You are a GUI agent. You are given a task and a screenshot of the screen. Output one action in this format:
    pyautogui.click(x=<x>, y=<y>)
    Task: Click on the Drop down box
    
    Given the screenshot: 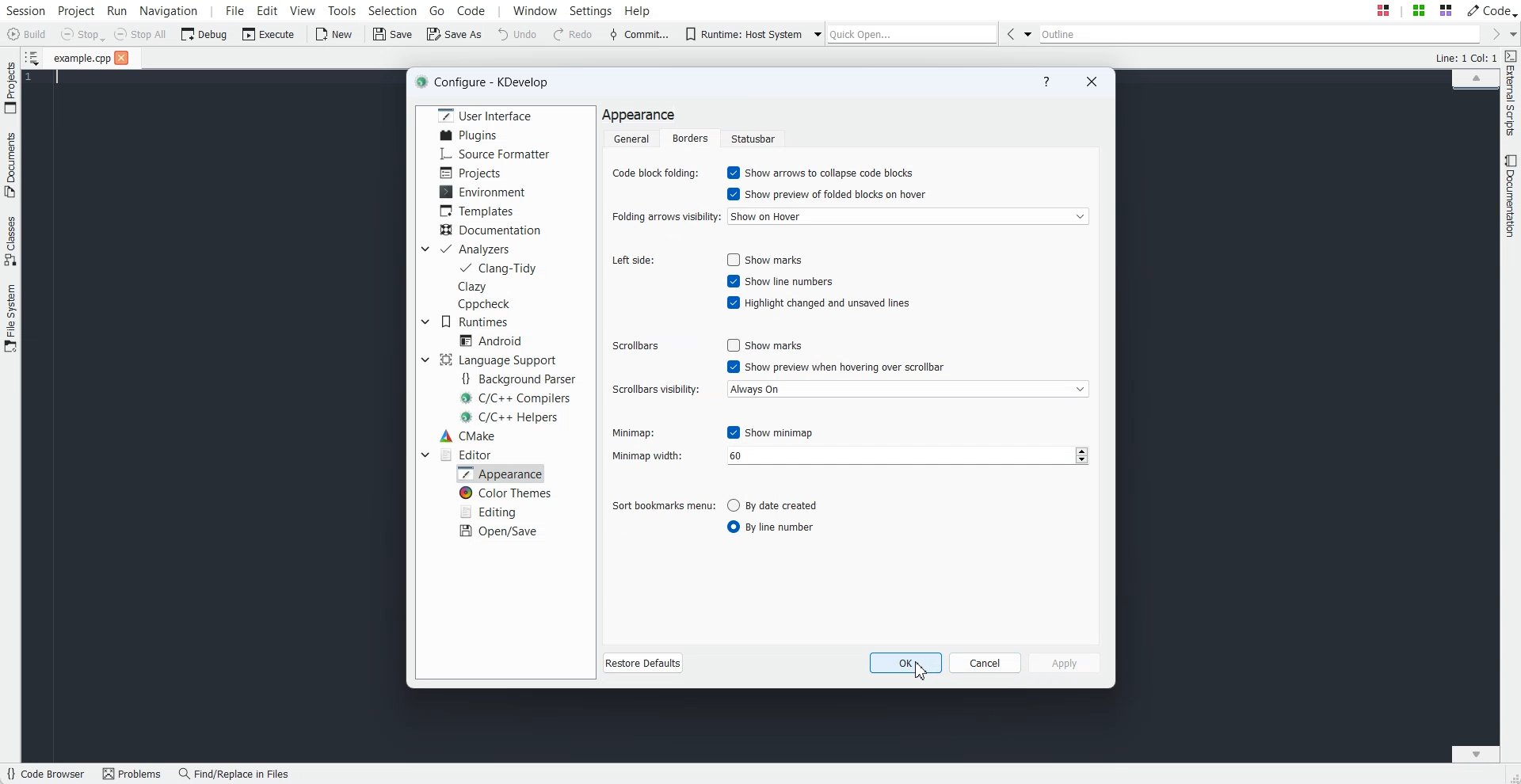 What is the action you would take?
    pyautogui.click(x=425, y=455)
    